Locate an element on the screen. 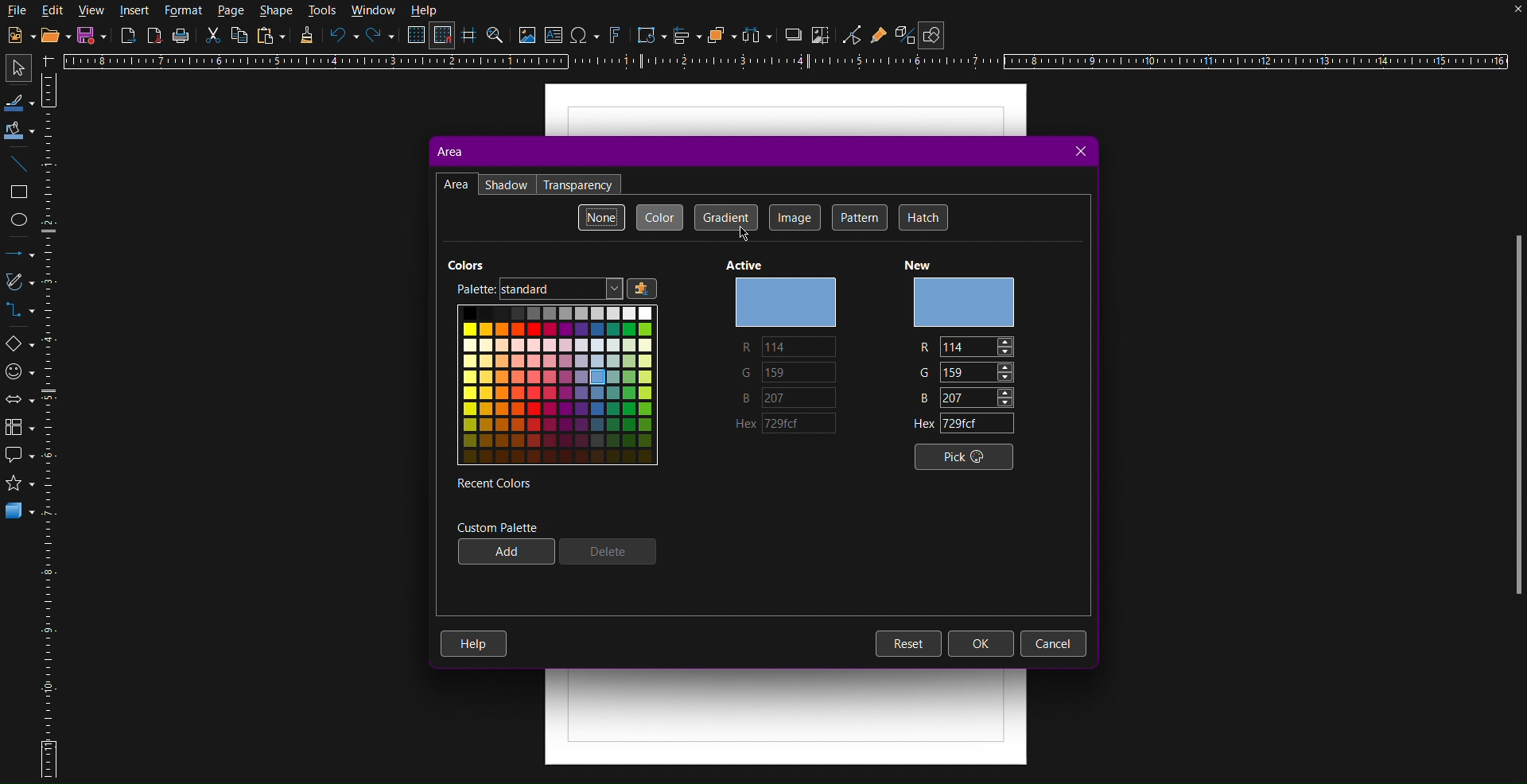 This screenshot has width=1527, height=784. Toggle Point Edit Mode is located at coordinates (852, 35).